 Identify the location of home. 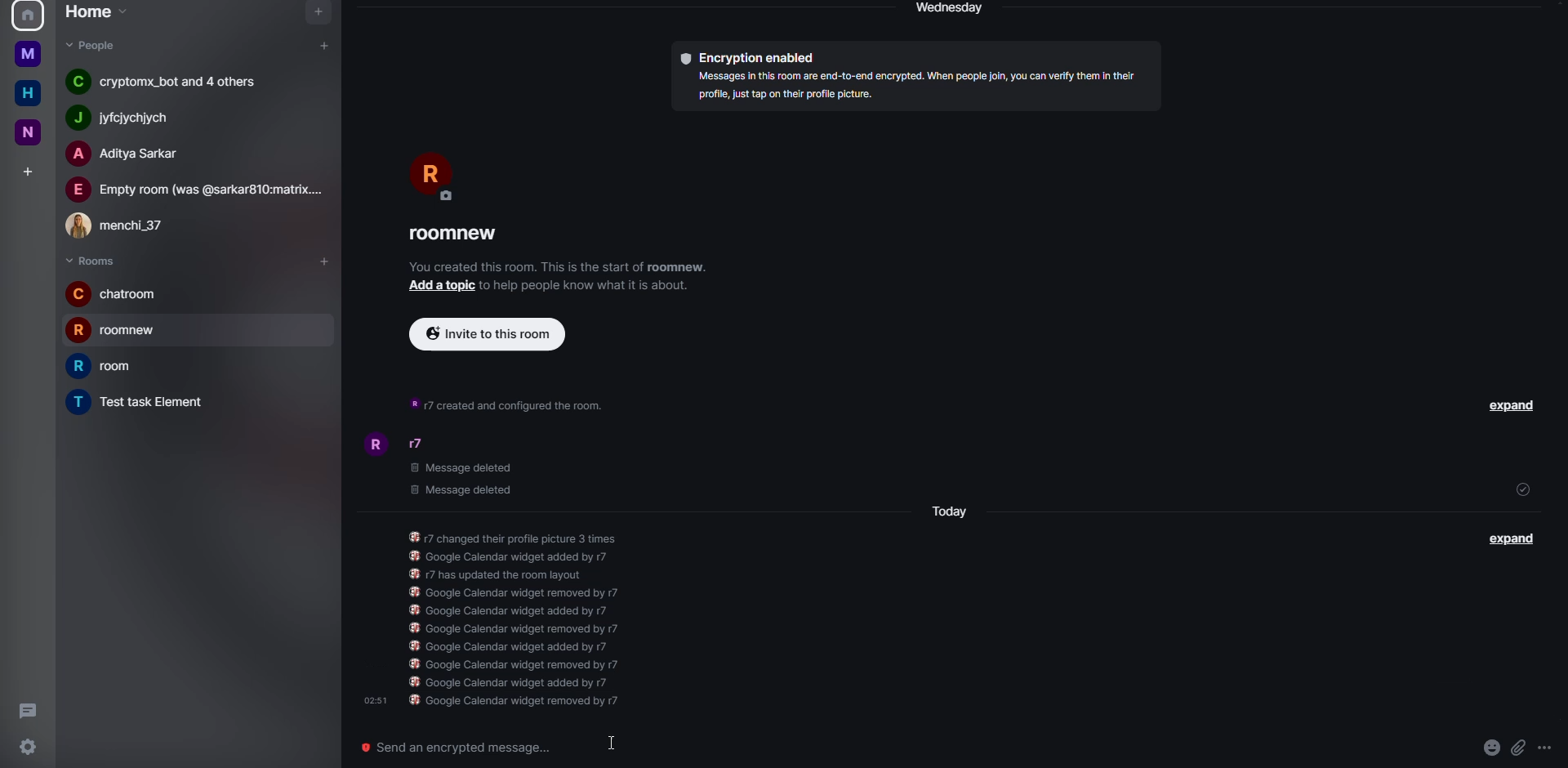
(28, 93).